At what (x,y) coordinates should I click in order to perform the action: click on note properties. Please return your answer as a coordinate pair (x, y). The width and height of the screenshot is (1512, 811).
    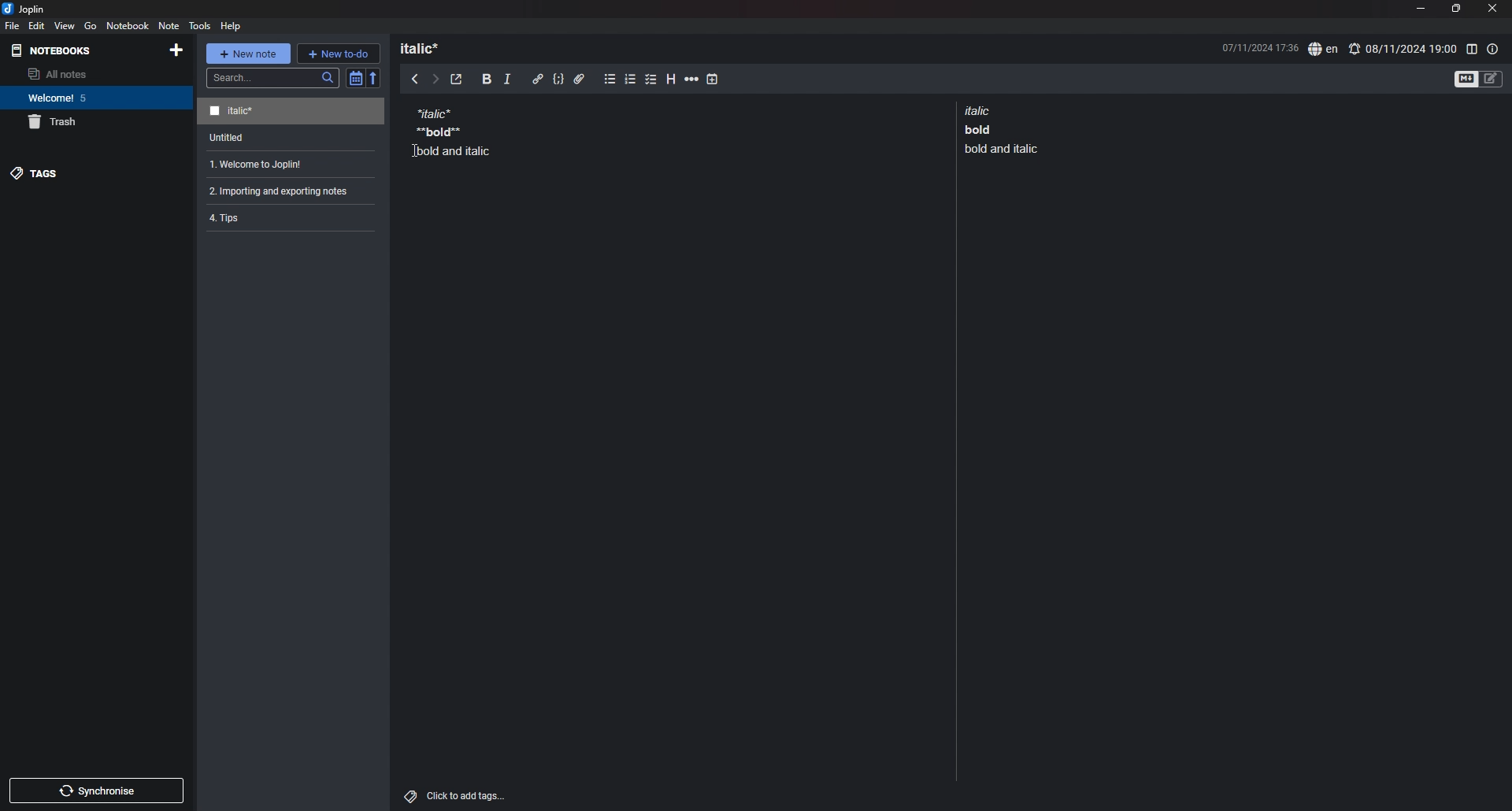
    Looking at the image, I should click on (1493, 49).